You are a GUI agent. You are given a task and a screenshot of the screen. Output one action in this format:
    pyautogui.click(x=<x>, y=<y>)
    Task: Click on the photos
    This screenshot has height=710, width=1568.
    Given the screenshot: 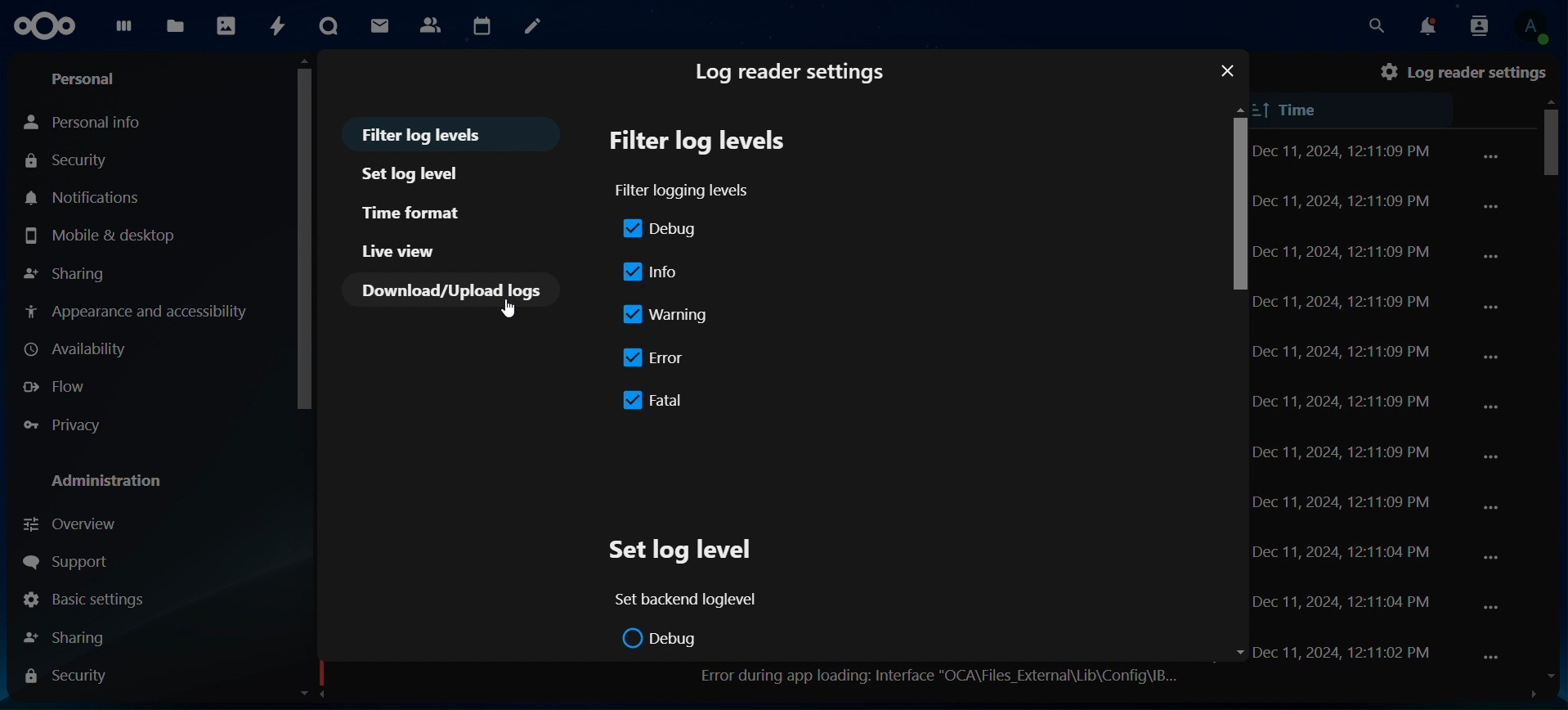 What is the action you would take?
    pyautogui.click(x=225, y=28)
    